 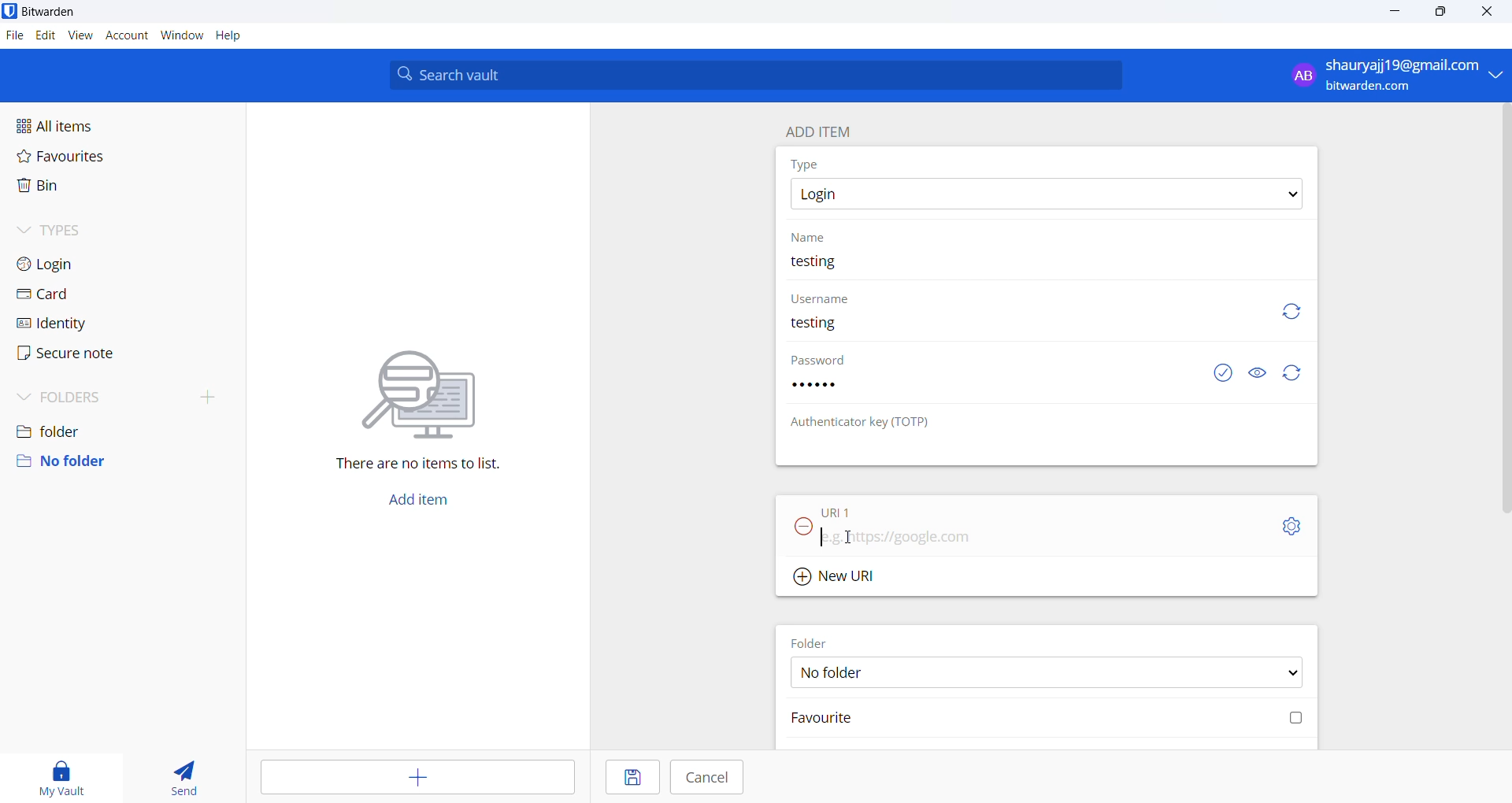 What do you see at coordinates (417, 413) in the screenshot?
I see `There are no items to list.` at bounding box center [417, 413].